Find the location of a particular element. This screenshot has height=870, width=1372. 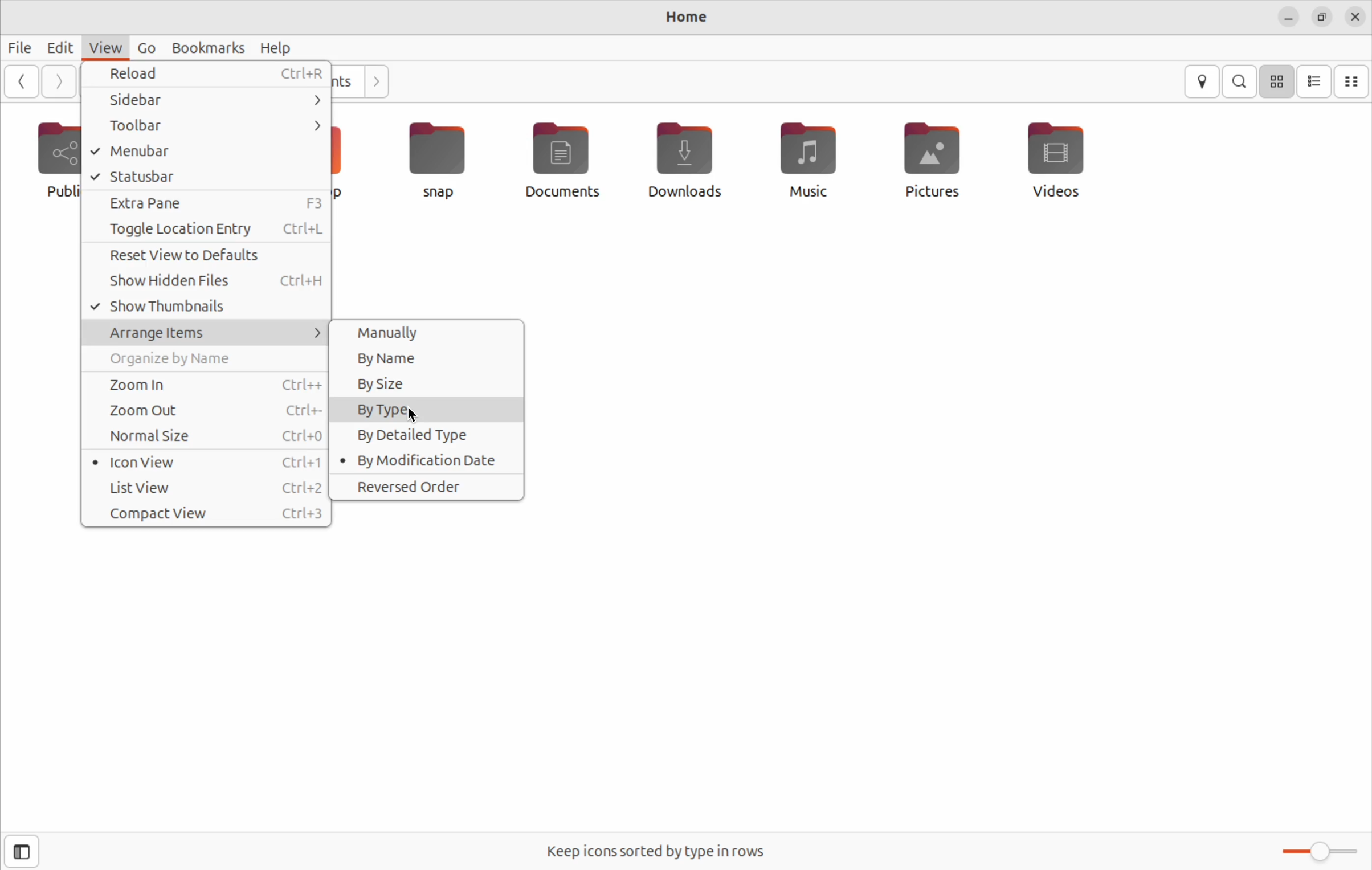

downloads is located at coordinates (685, 164).